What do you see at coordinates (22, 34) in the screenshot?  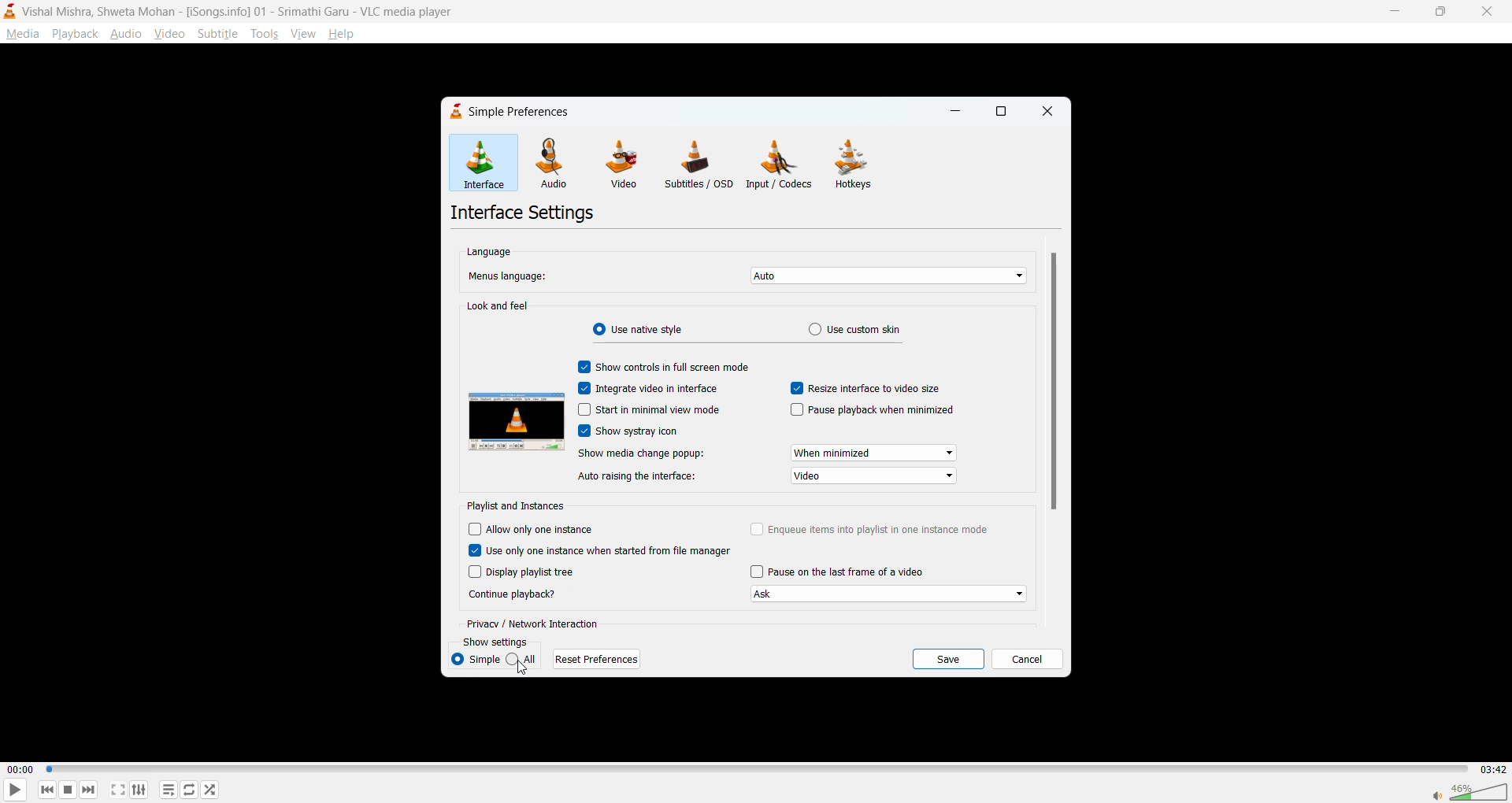 I see `media` at bounding box center [22, 34].